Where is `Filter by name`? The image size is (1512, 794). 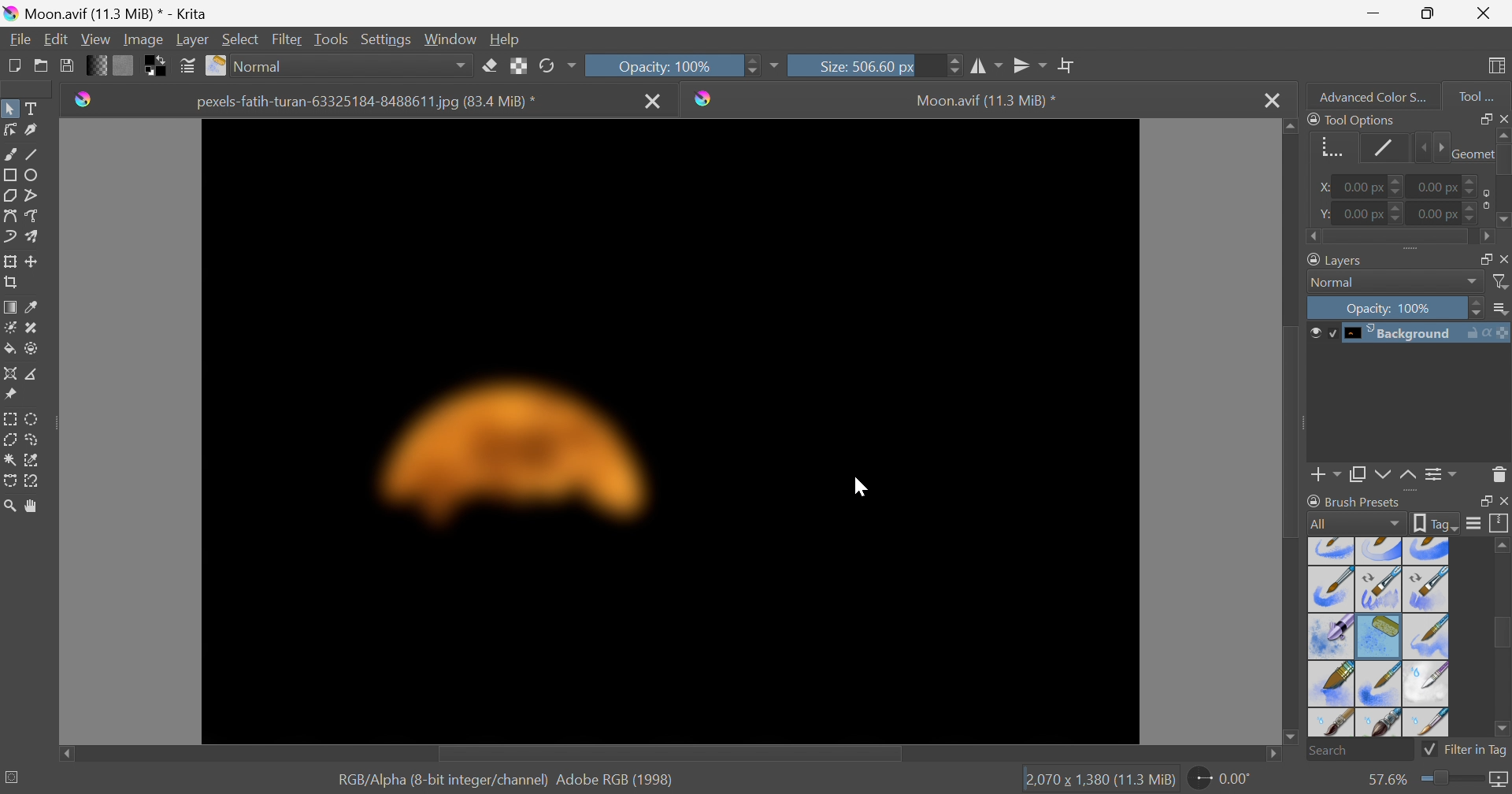 Filter by name is located at coordinates (1501, 280).